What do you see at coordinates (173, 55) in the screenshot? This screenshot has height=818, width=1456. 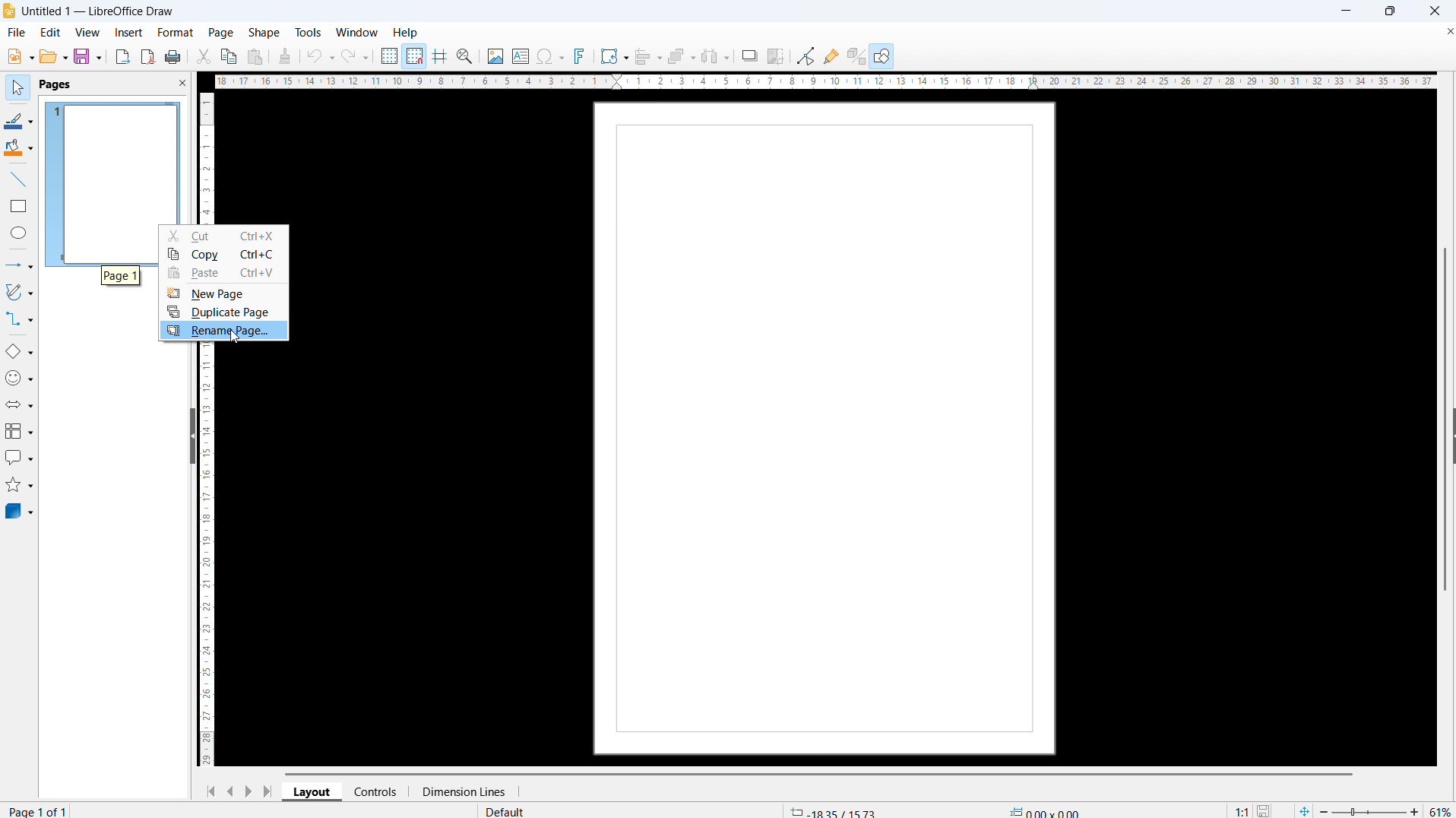 I see `print` at bounding box center [173, 55].